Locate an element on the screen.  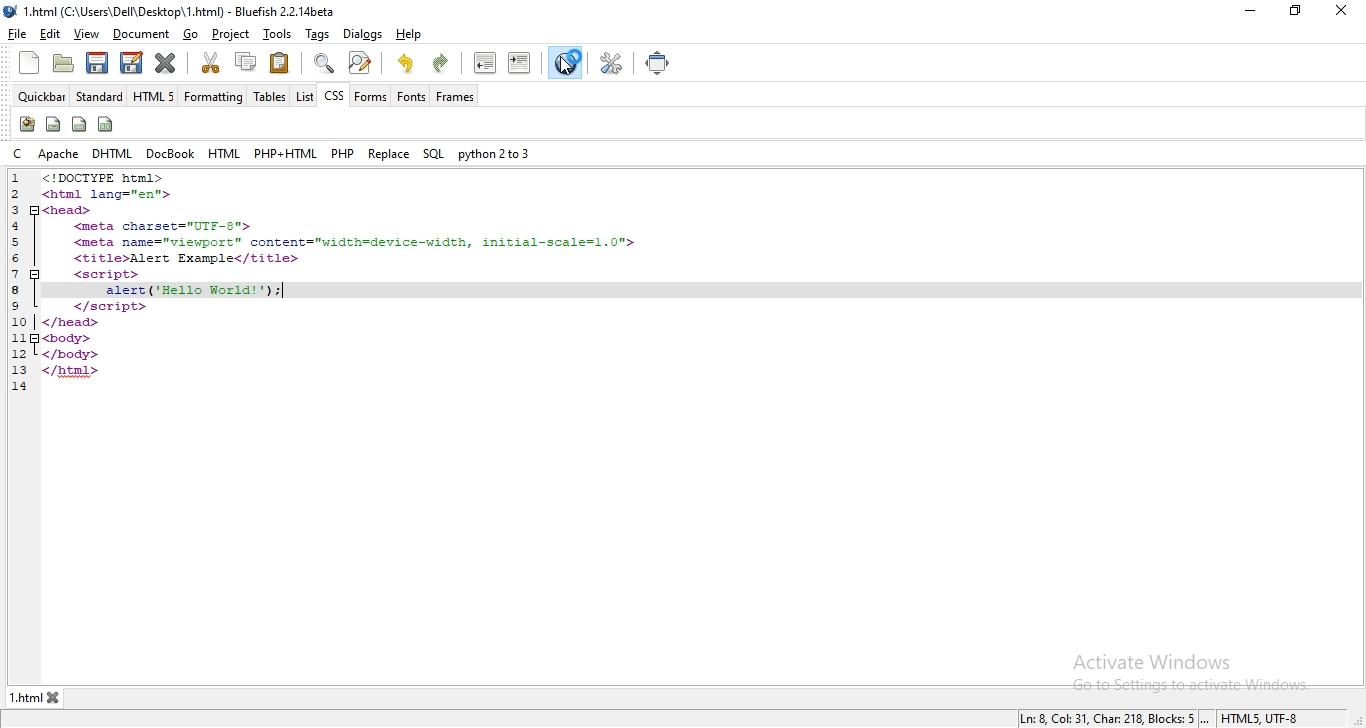
standard is located at coordinates (101, 96).